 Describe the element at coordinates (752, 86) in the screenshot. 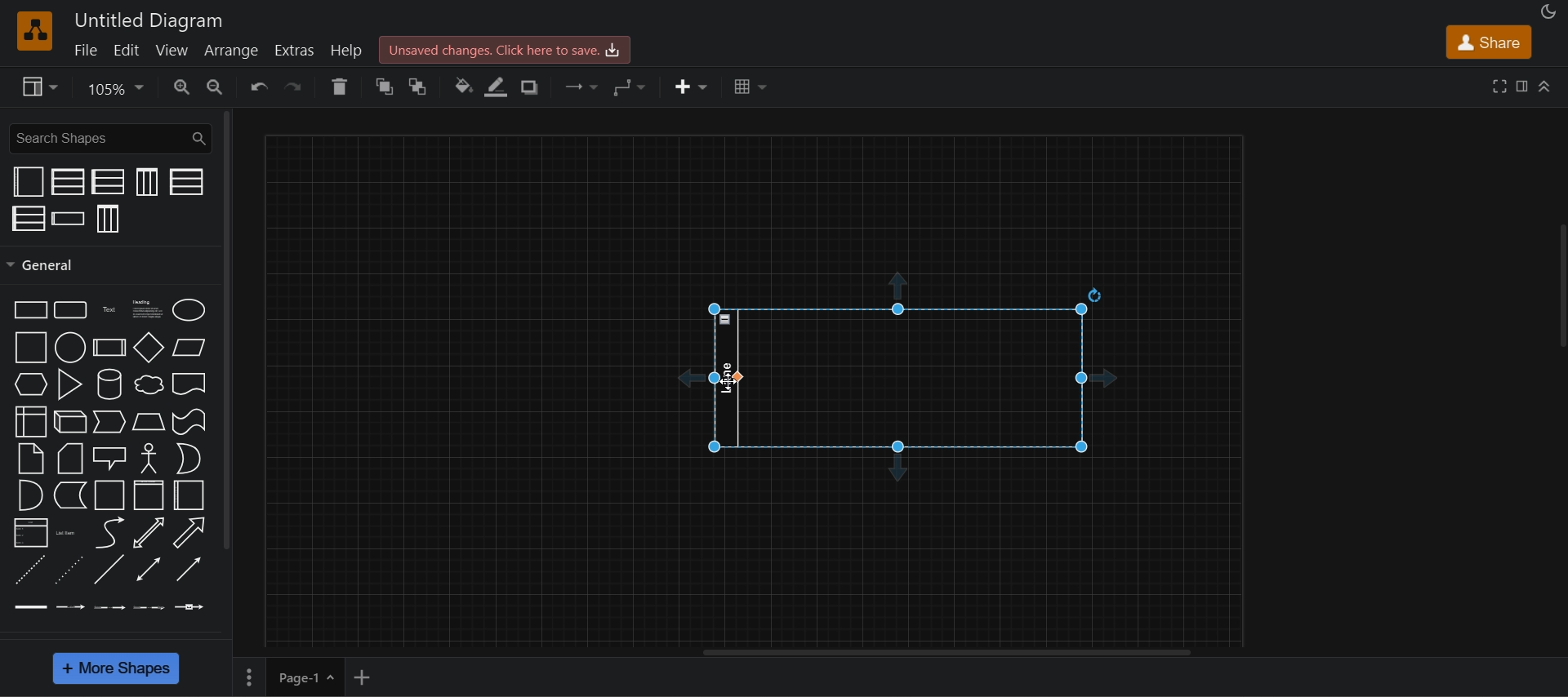

I see `table` at that location.